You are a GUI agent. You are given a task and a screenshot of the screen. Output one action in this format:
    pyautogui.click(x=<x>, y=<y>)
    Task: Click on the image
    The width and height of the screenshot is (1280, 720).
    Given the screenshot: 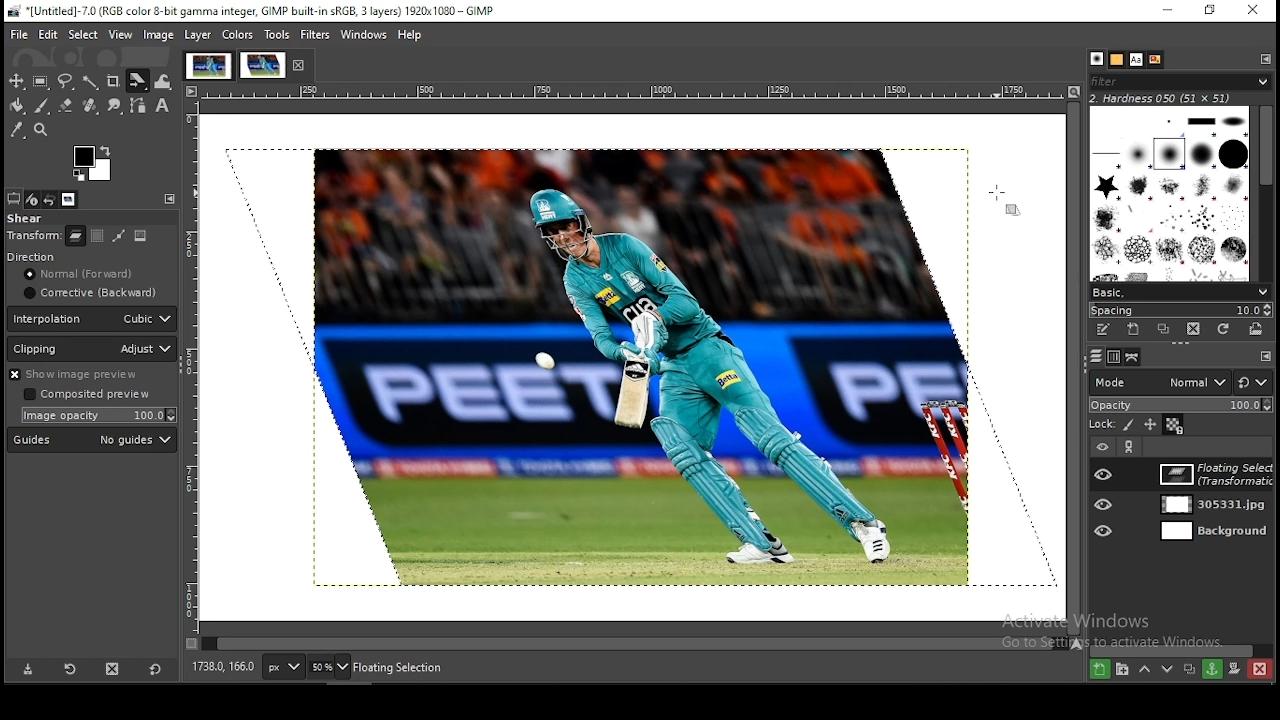 What is the action you would take?
    pyautogui.click(x=140, y=235)
    